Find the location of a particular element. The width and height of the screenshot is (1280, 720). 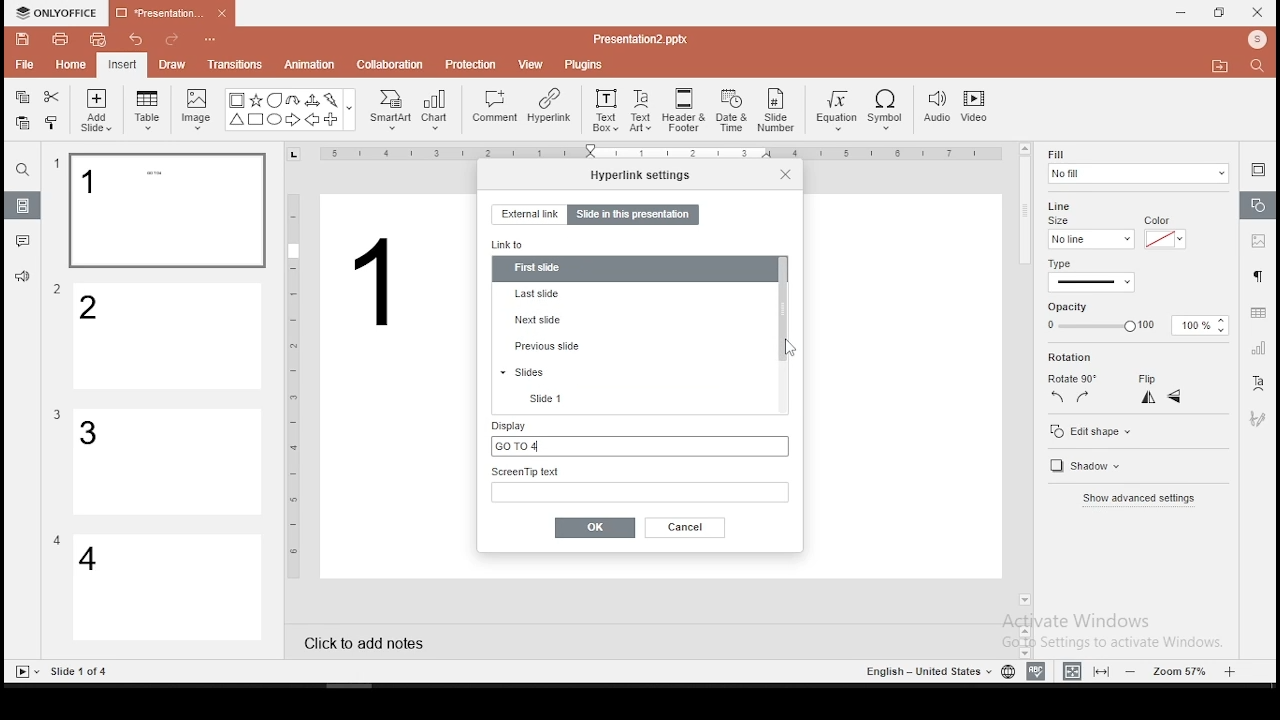

paragraph settings is located at coordinates (1256, 274).